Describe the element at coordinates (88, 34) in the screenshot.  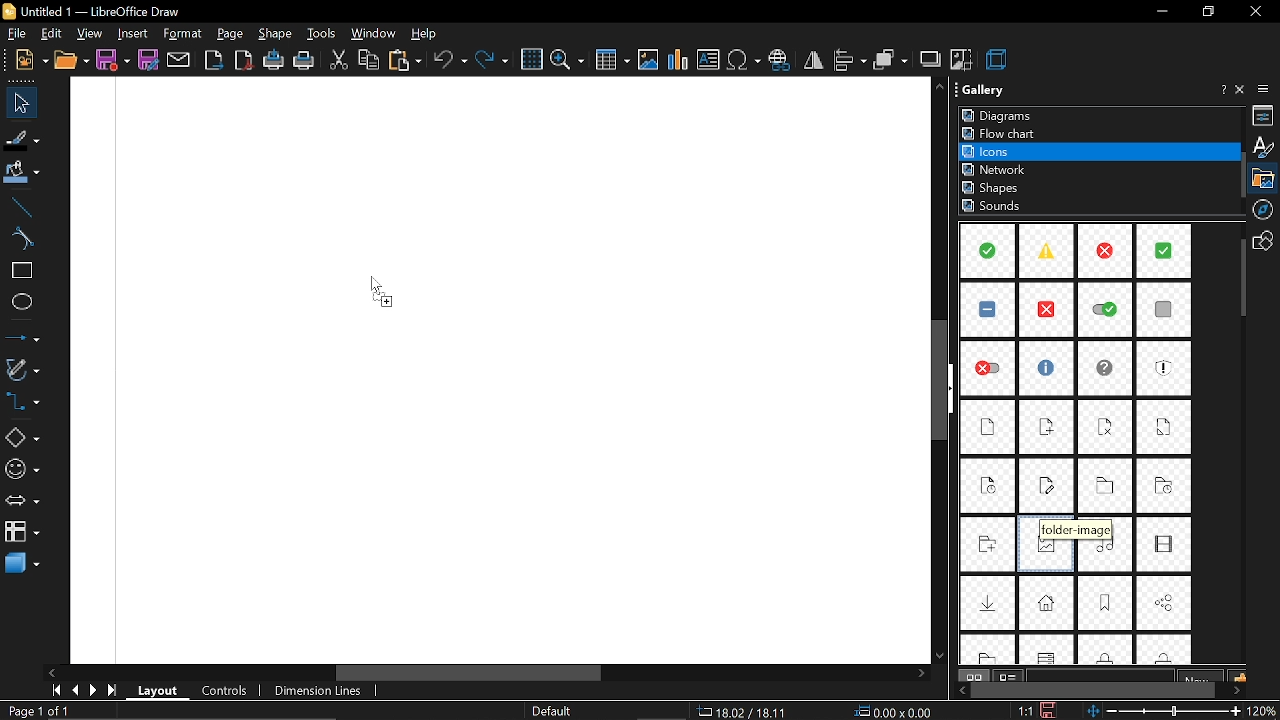
I see `view` at that location.